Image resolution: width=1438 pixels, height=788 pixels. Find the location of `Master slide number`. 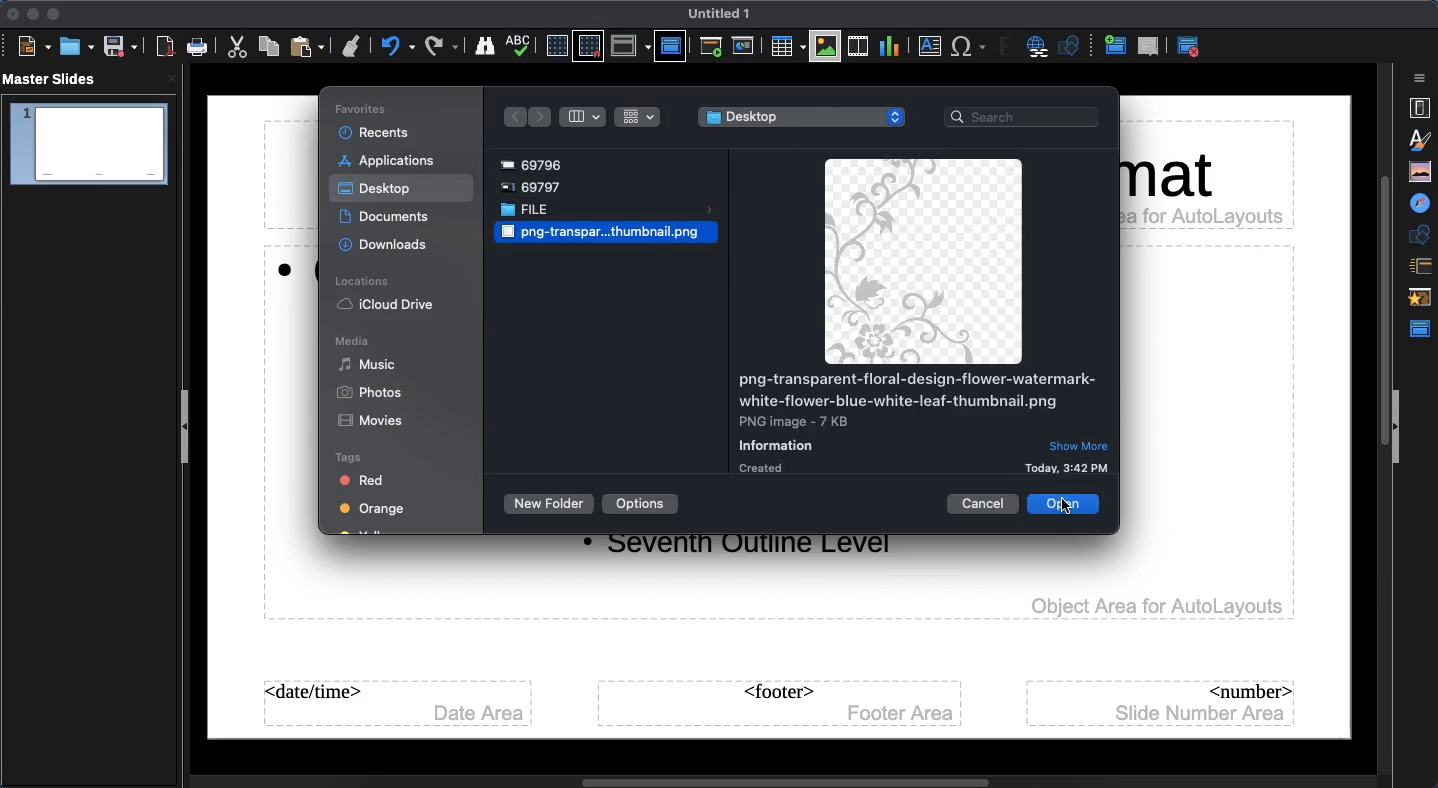

Master slide number is located at coordinates (1163, 702).